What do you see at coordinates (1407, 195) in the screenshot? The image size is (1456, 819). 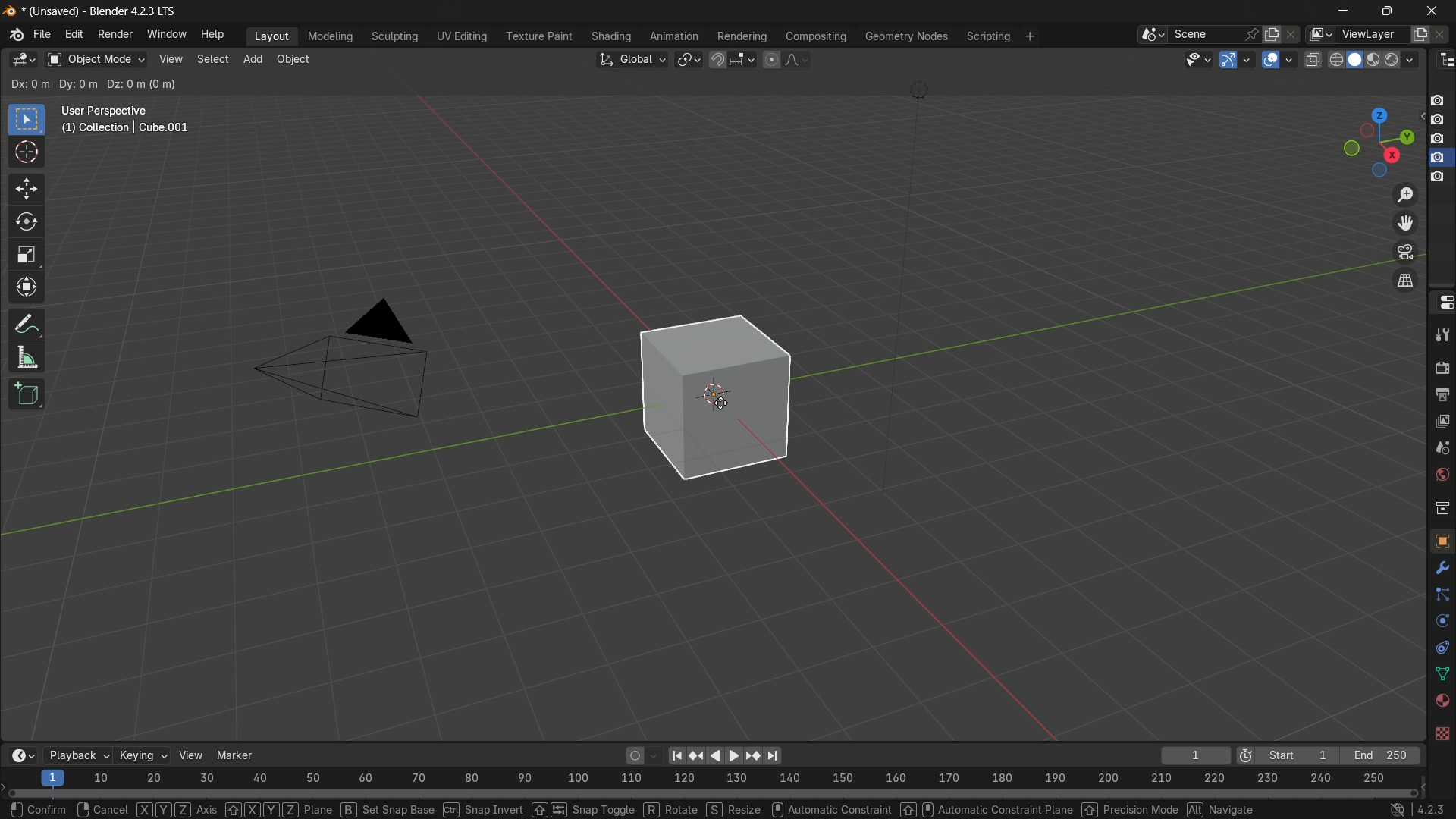 I see `zoom in/out` at bounding box center [1407, 195].